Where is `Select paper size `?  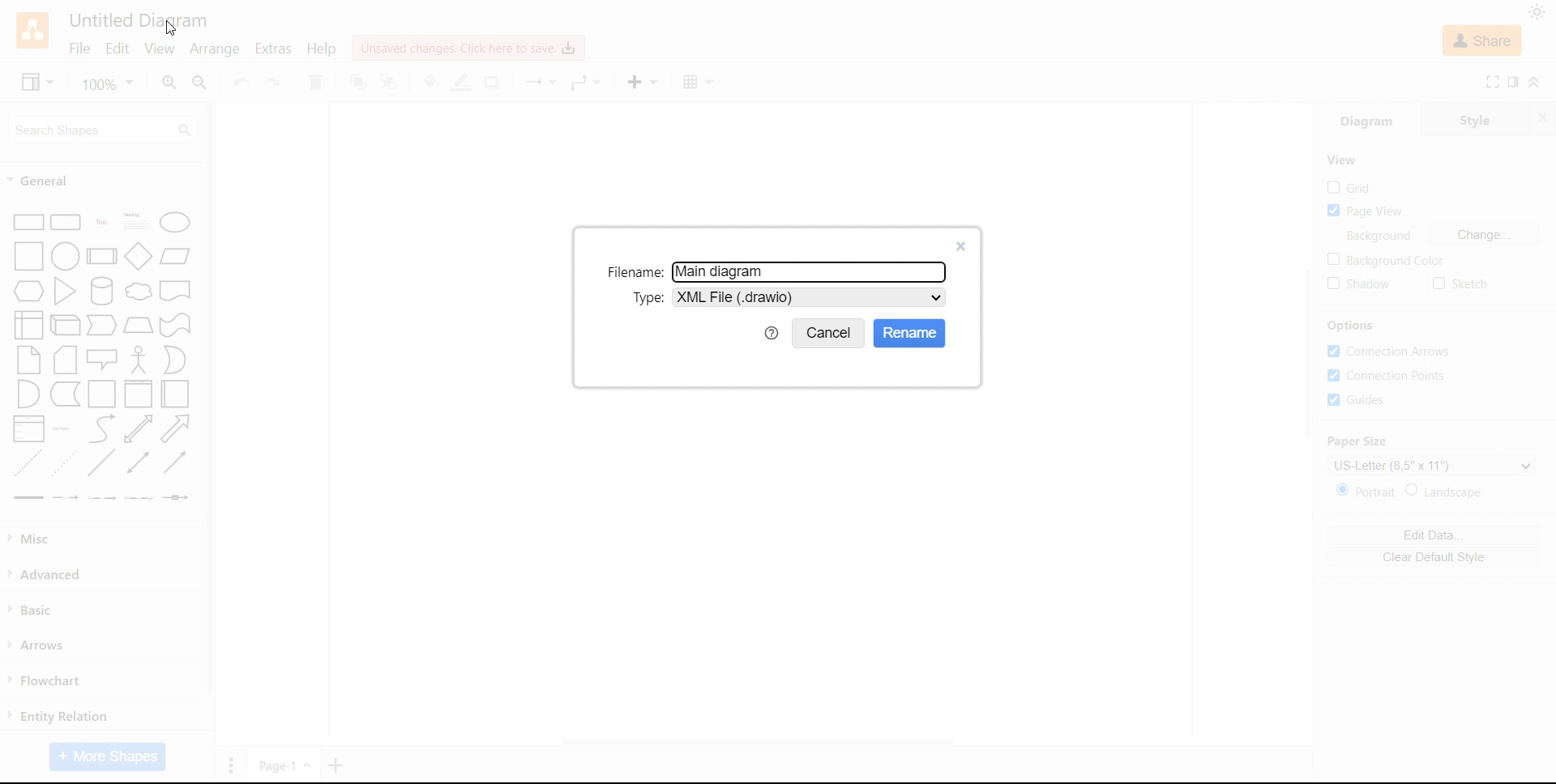 Select paper size  is located at coordinates (1431, 465).